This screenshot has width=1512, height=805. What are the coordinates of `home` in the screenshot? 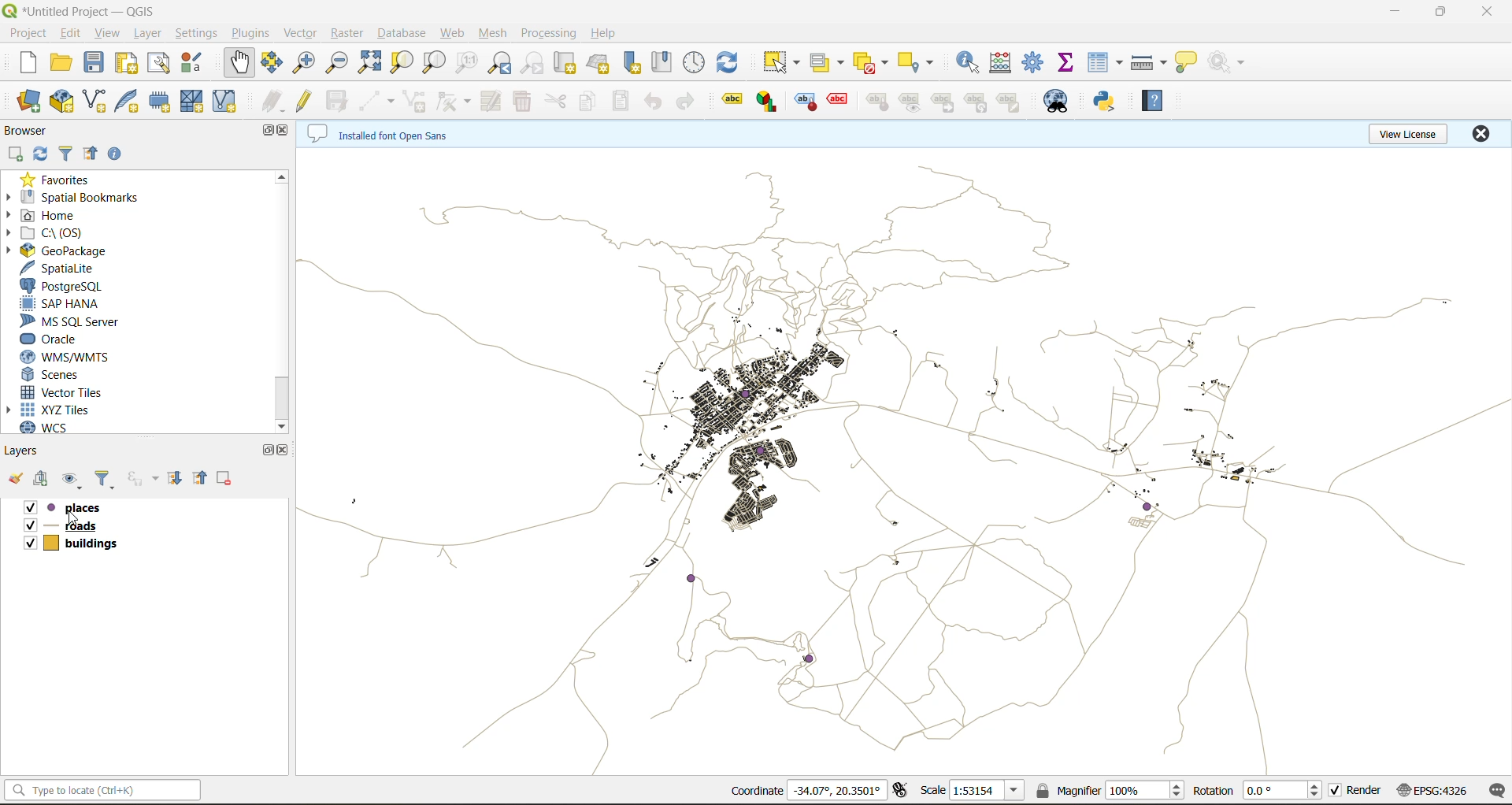 It's located at (61, 215).